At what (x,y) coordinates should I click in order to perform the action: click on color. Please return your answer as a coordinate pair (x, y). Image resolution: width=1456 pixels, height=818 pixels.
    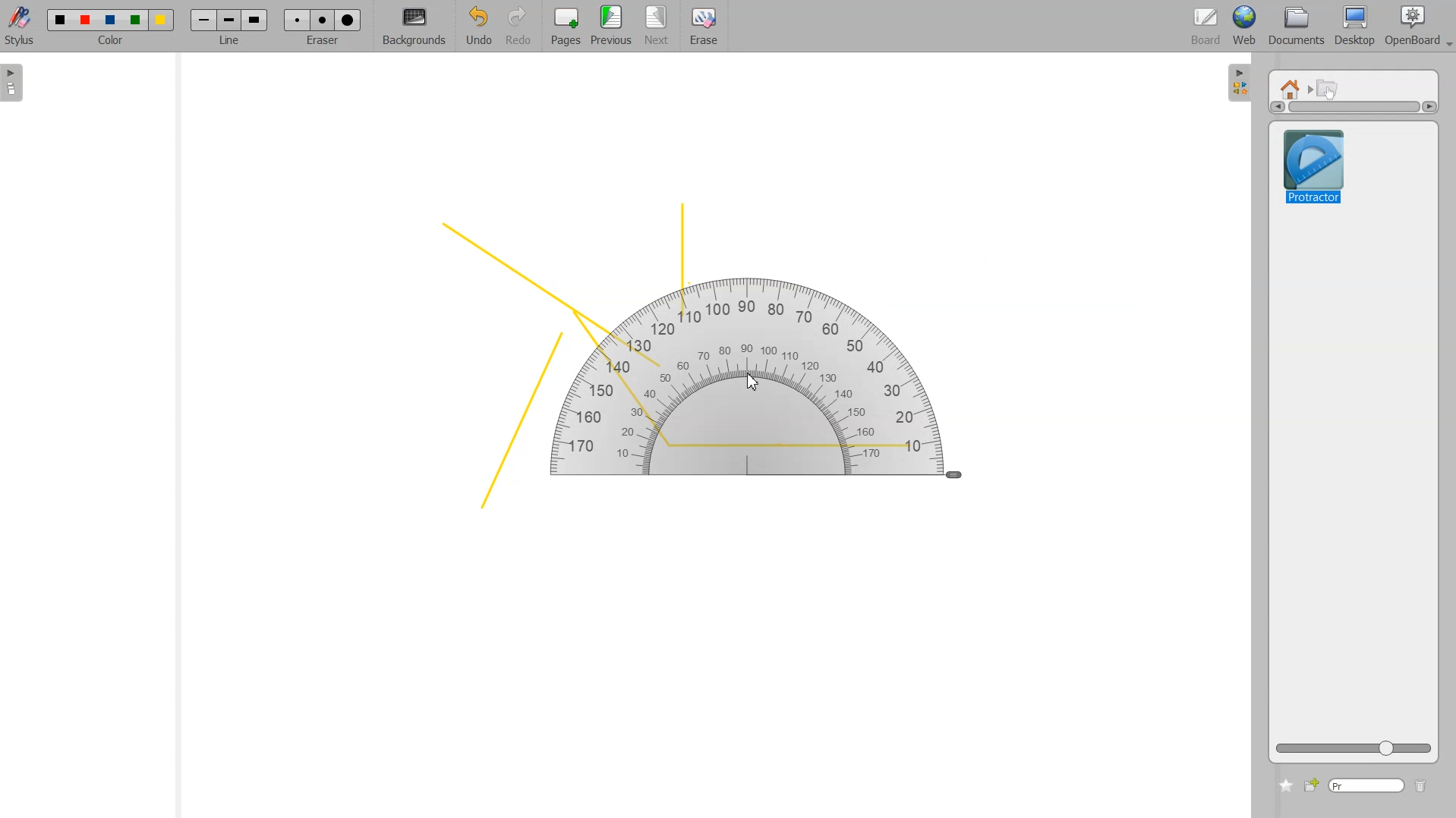
    Looking at the image, I should click on (112, 42).